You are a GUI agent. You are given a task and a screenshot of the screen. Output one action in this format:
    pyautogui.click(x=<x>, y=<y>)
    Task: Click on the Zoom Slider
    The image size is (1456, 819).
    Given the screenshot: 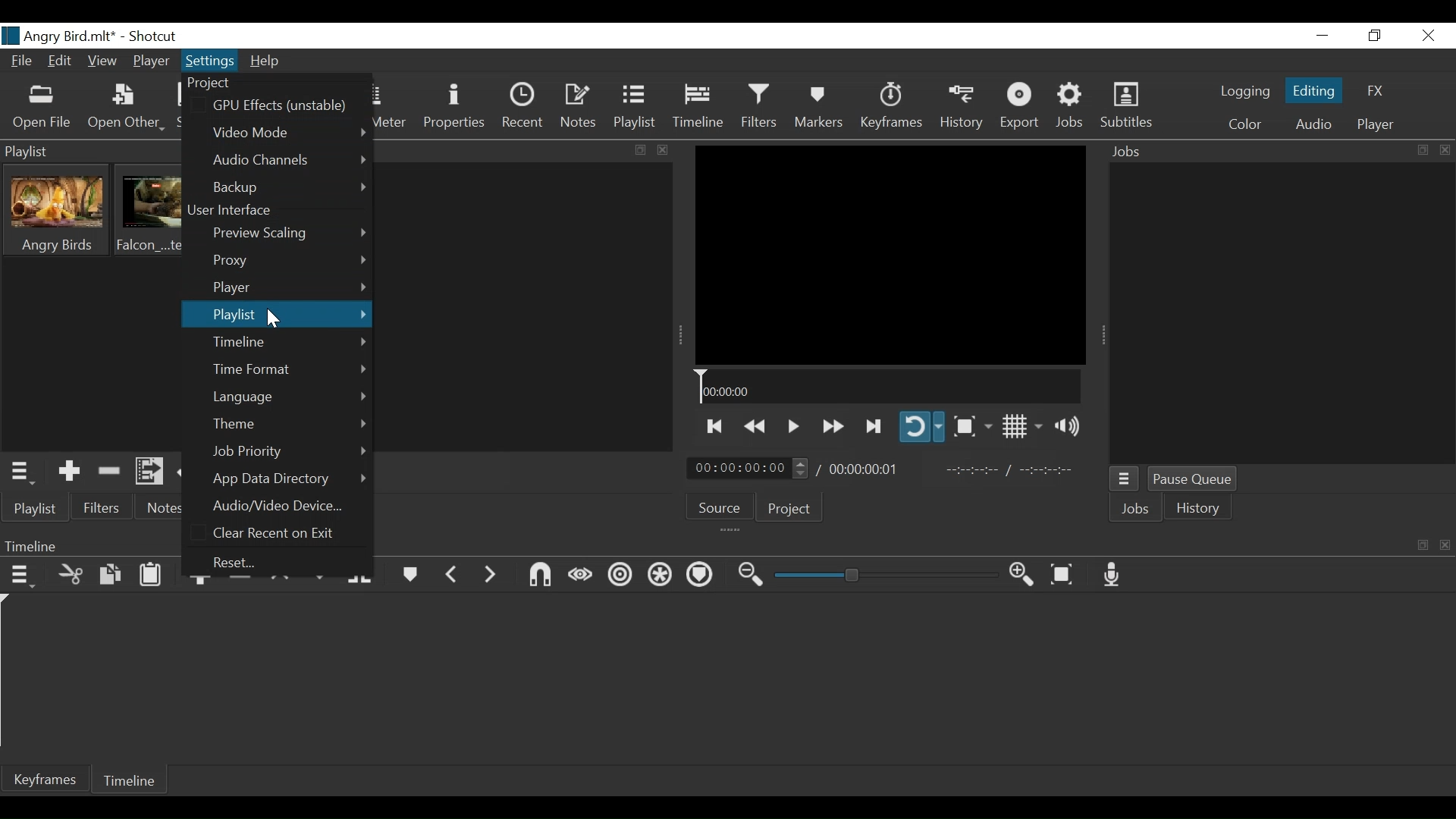 What is the action you would take?
    pyautogui.click(x=885, y=575)
    